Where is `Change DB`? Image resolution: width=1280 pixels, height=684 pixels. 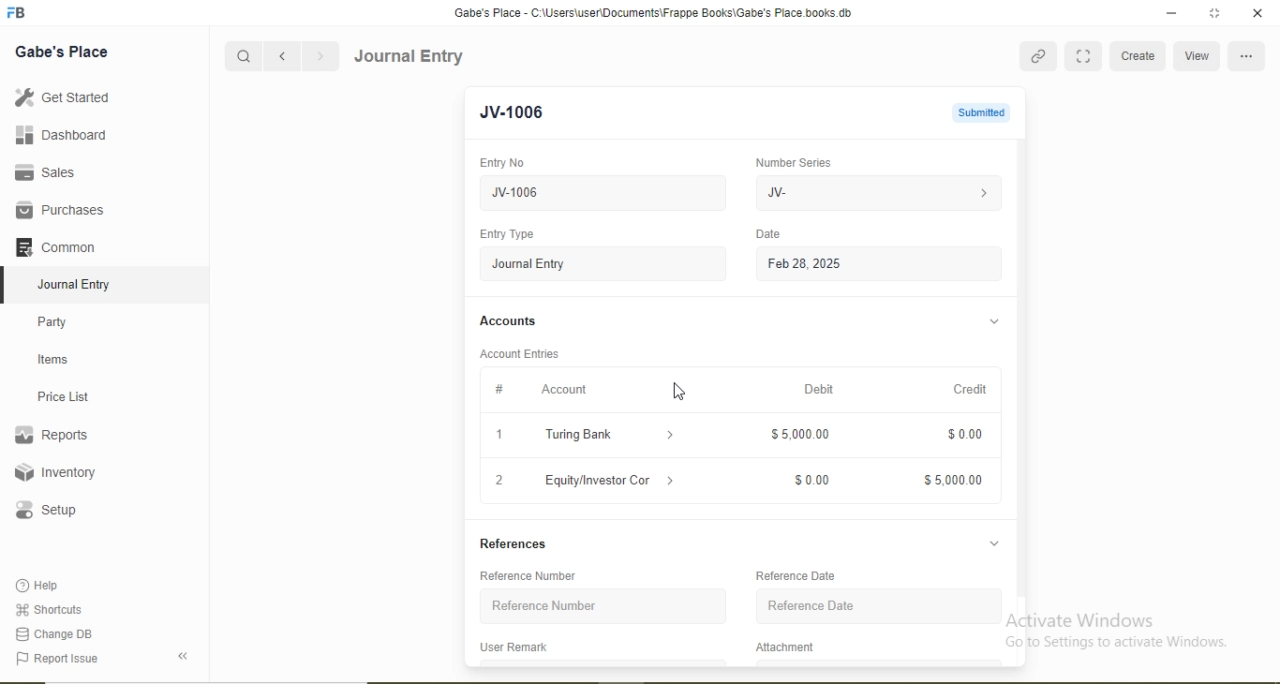 Change DB is located at coordinates (52, 635).